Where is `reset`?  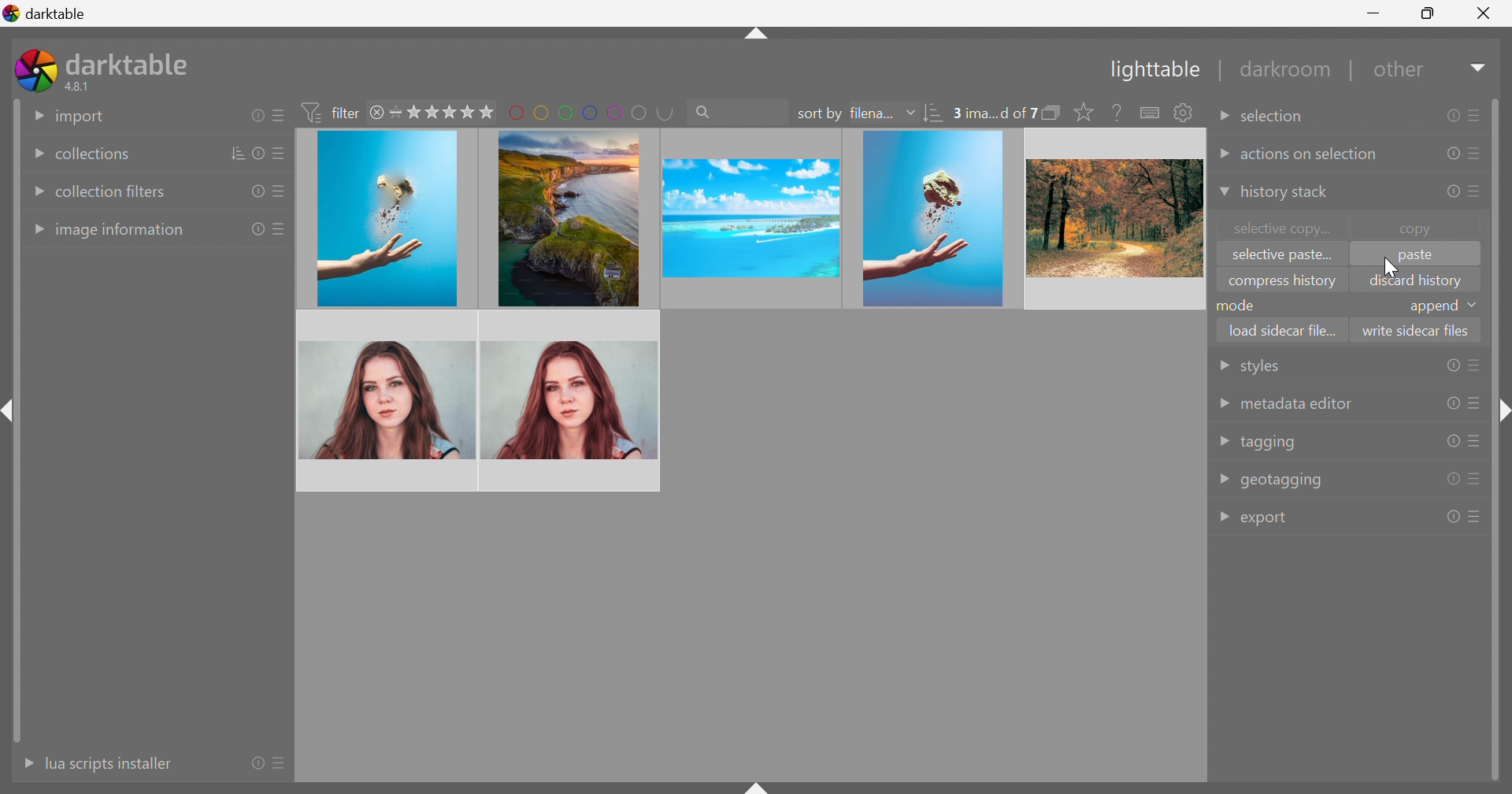 reset is located at coordinates (254, 192).